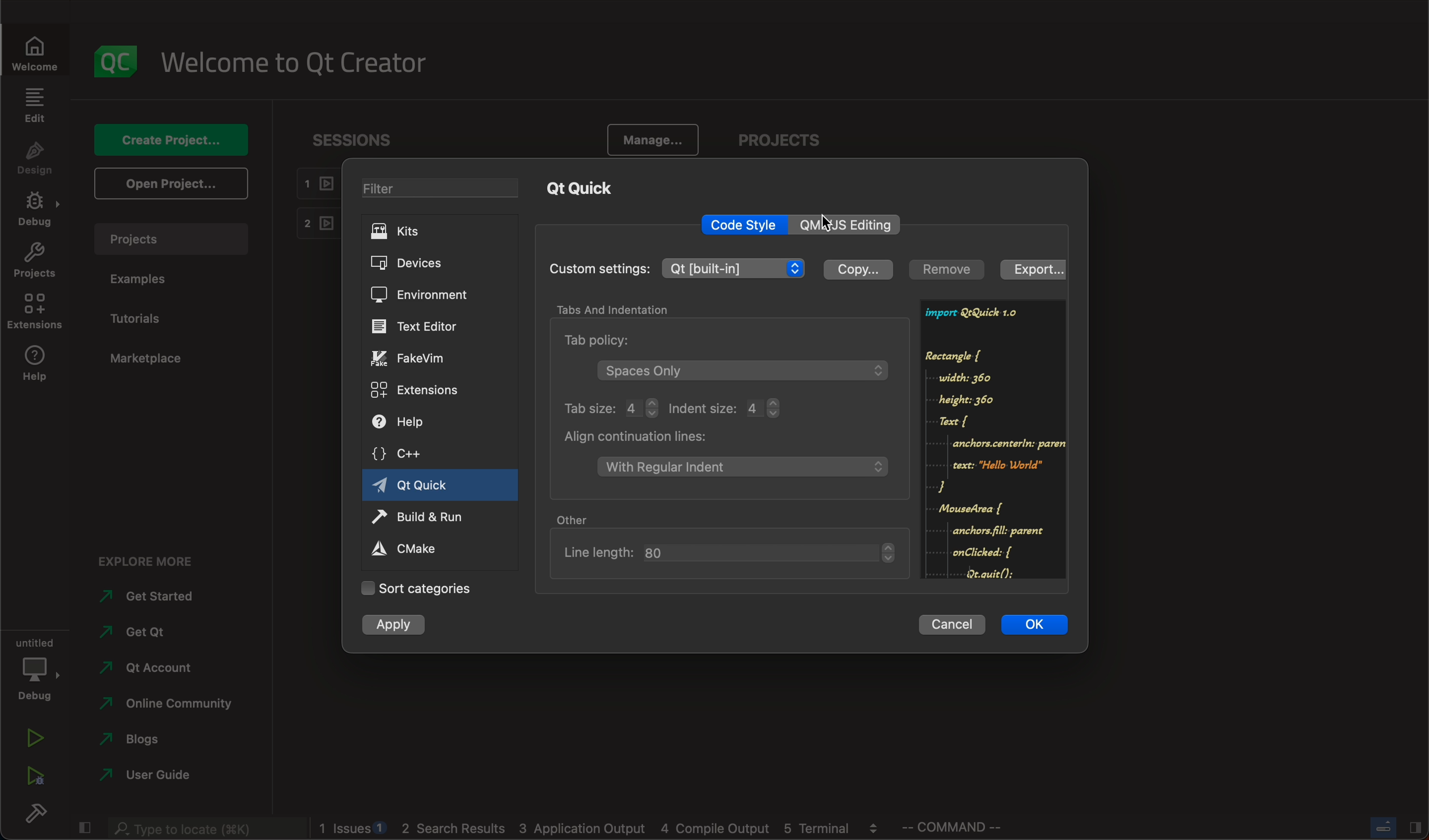 The height and width of the screenshot is (840, 1429). Describe the element at coordinates (729, 358) in the screenshot. I see `tab policy` at that location.